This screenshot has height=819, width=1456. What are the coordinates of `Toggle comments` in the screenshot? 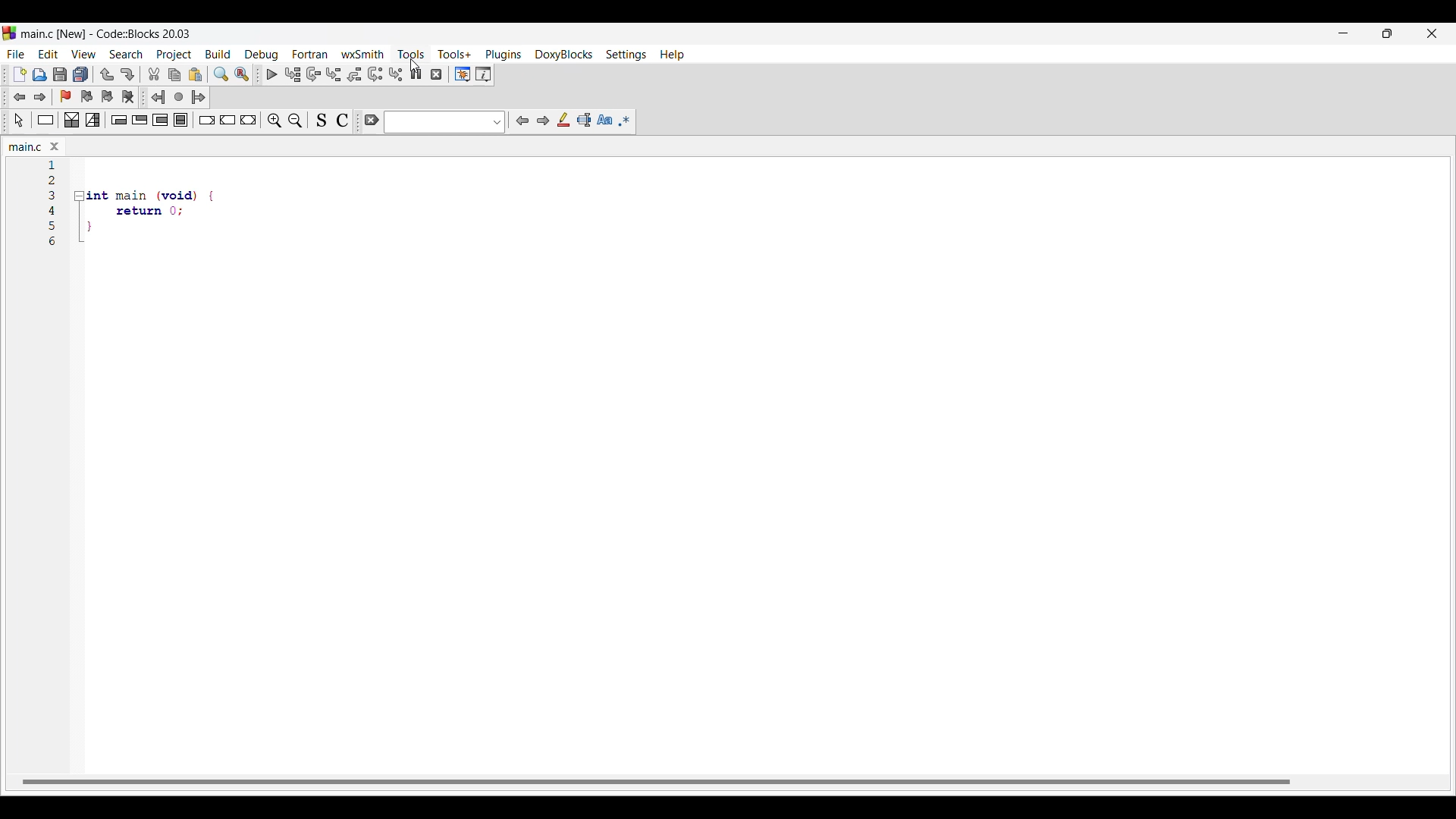 It's located at (342, 122).